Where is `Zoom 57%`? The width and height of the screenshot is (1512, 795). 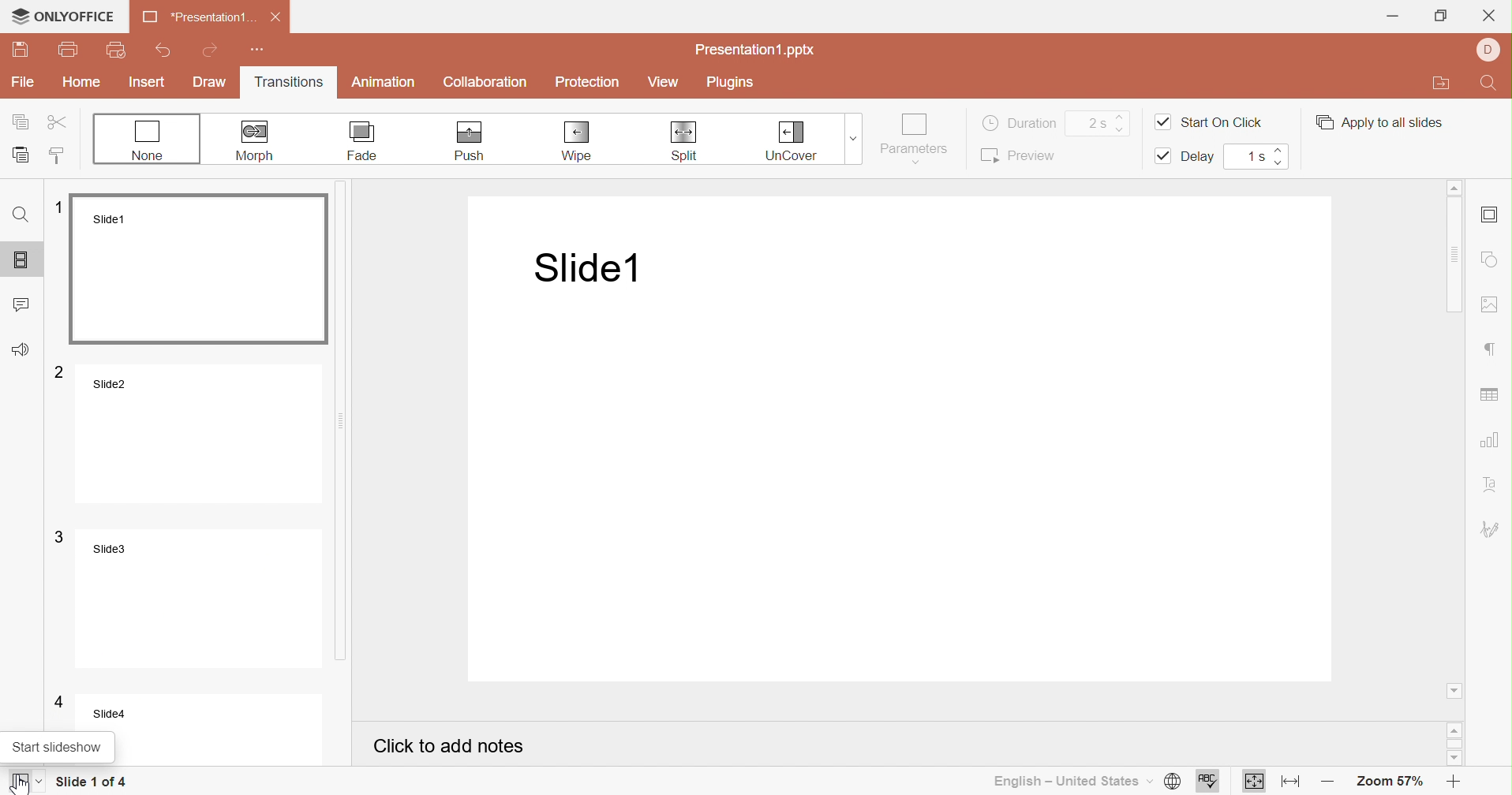
Zoom 57% is located at coordinates (1392, 784).